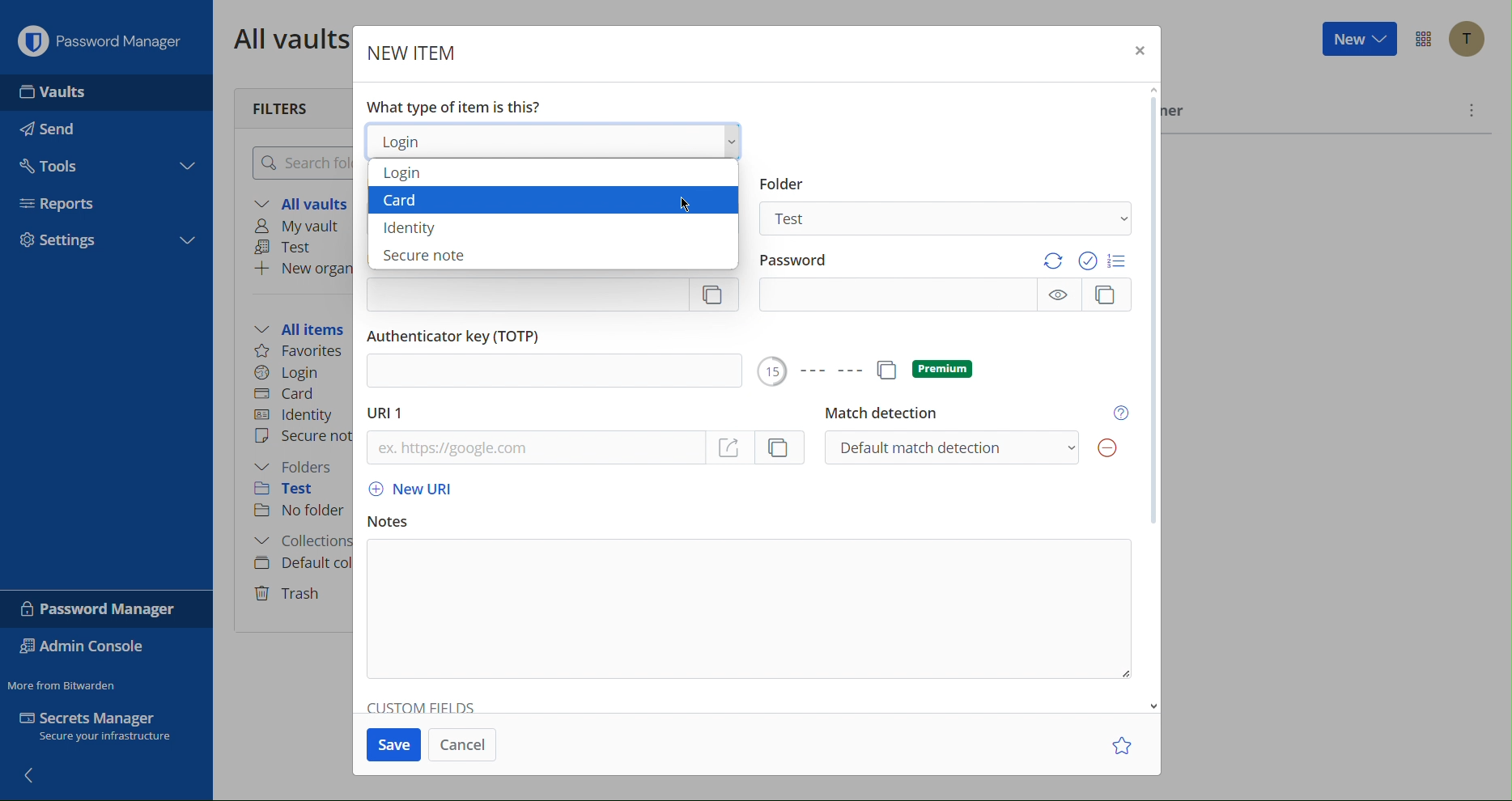 The width and height of the screenshot is (1512, 801). What do you see at coordinates (54, 131) in the screenshot?
I see `Send` at bounding box center [54, 131].